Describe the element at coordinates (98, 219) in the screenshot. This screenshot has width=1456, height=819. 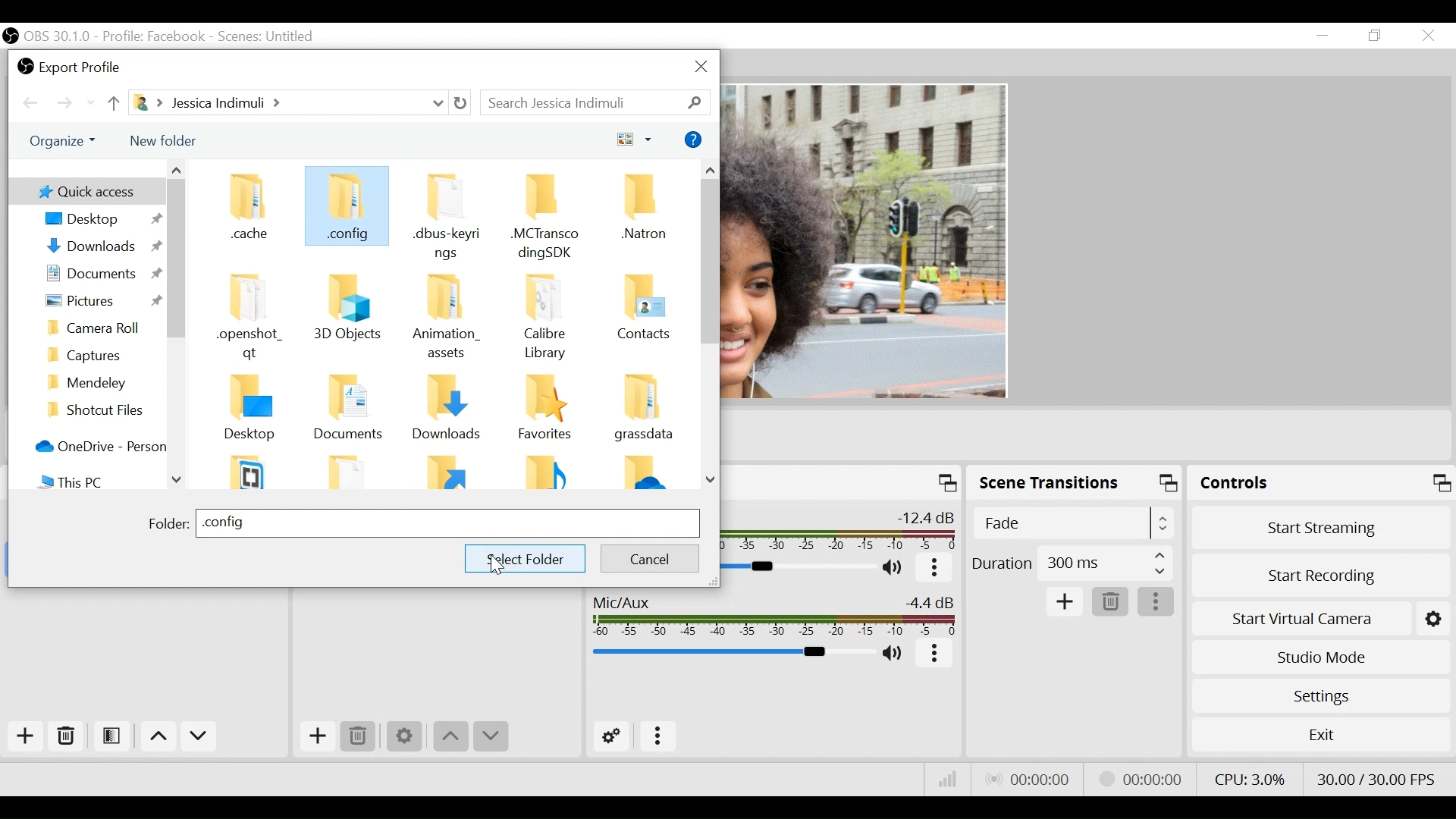
I see `Desktop` at that location.